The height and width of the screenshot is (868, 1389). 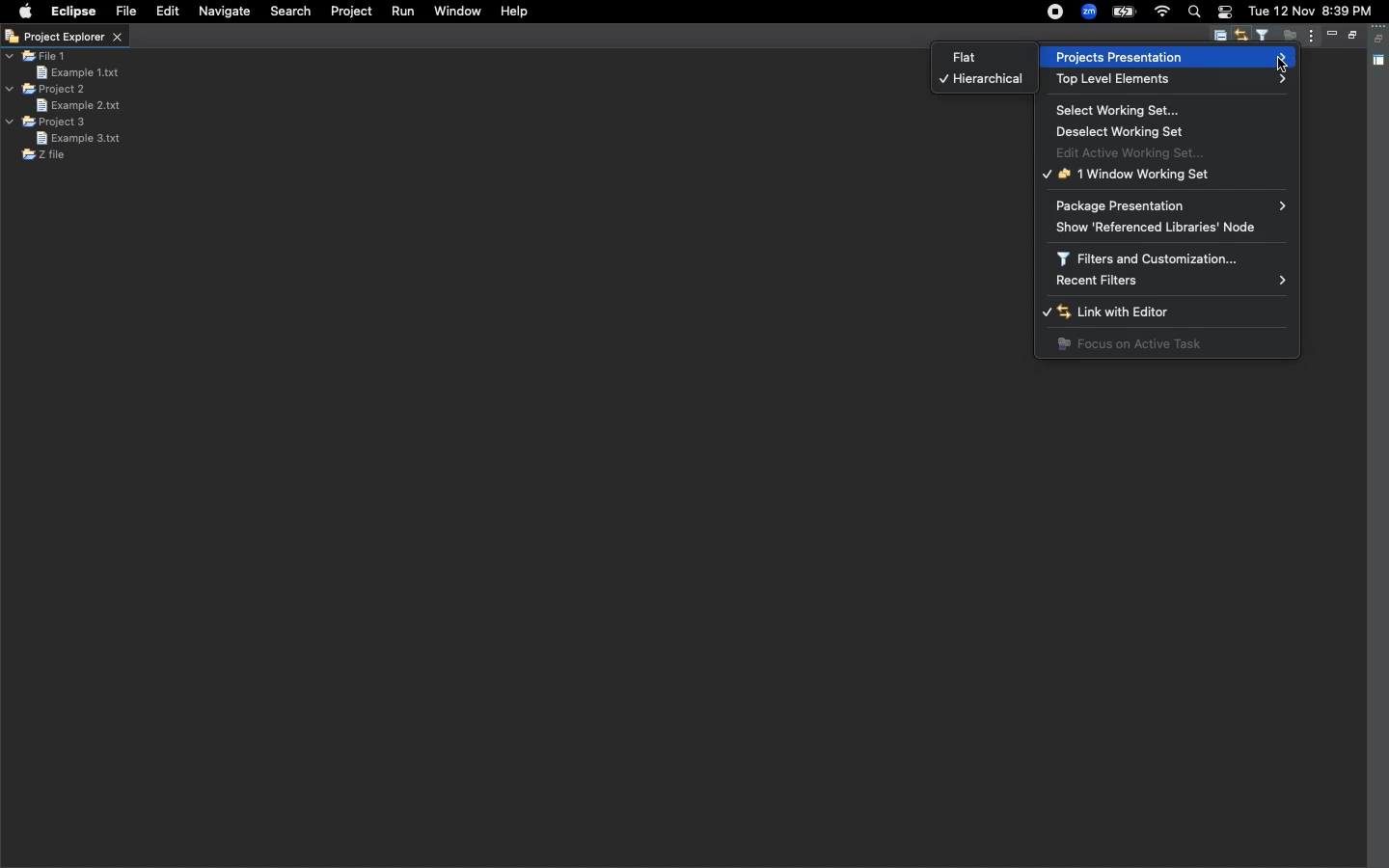 I want to click on Project 3, so click(x=48, y=122).